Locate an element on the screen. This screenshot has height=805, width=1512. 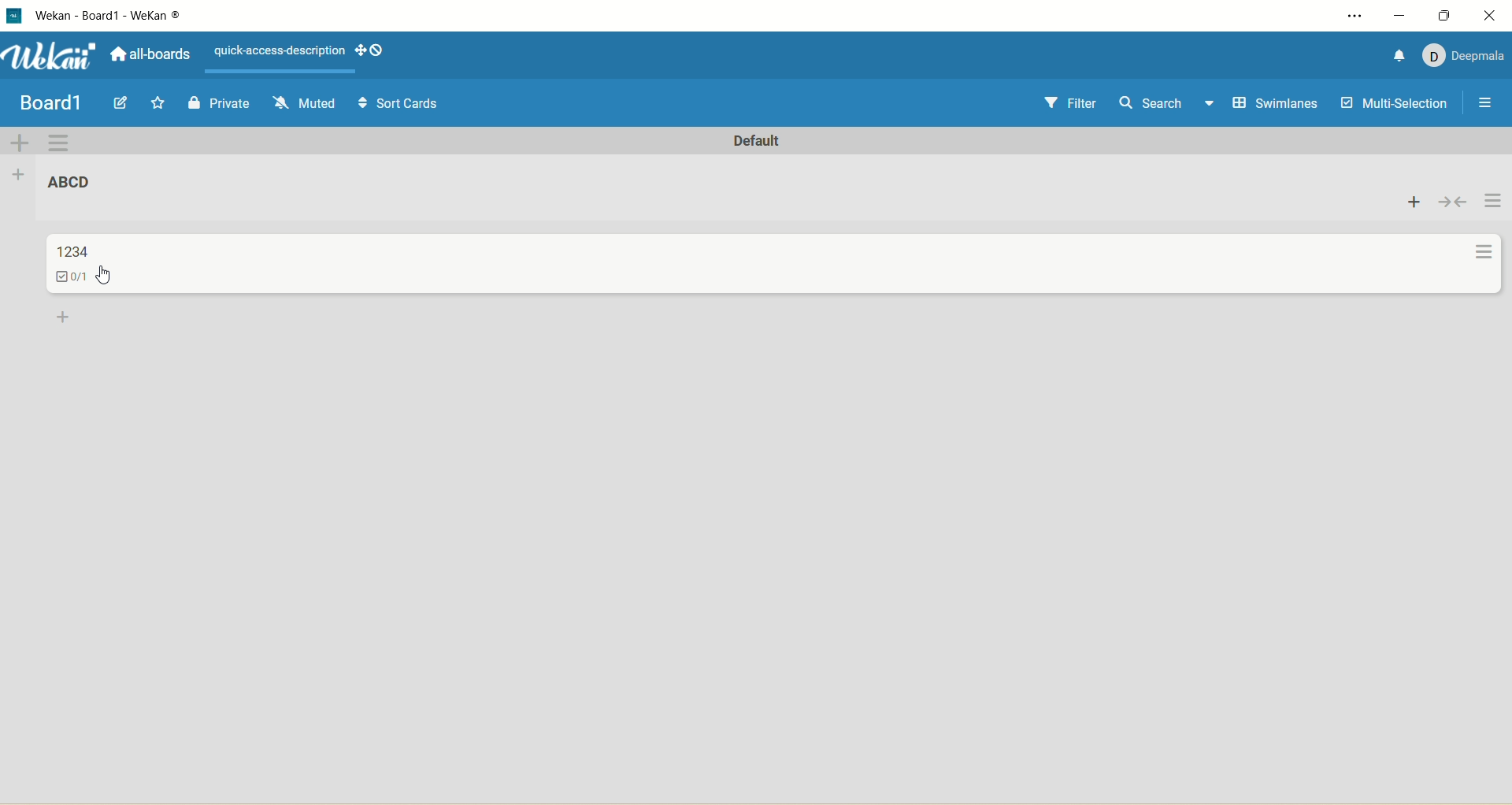
open/close sidebar is located at coordinates (1488, 109).